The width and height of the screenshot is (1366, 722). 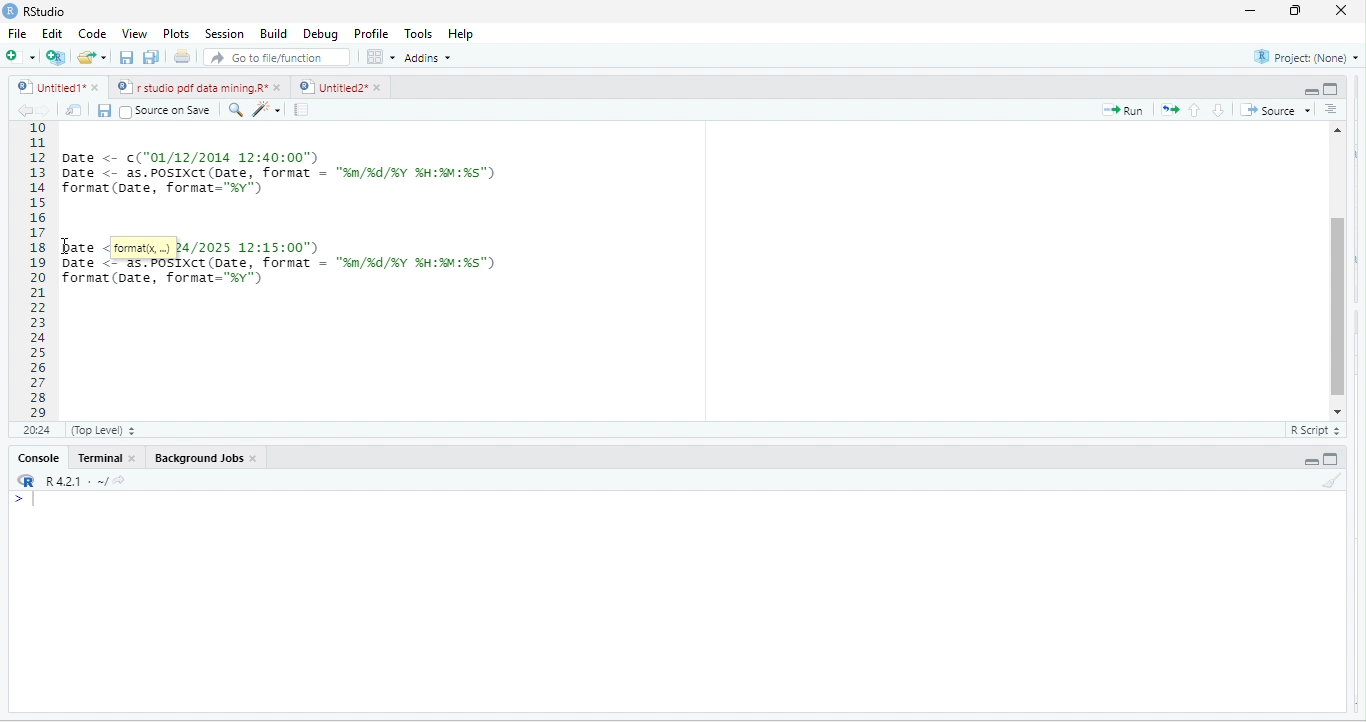 I want to click on close, so click(x=257, y=461).